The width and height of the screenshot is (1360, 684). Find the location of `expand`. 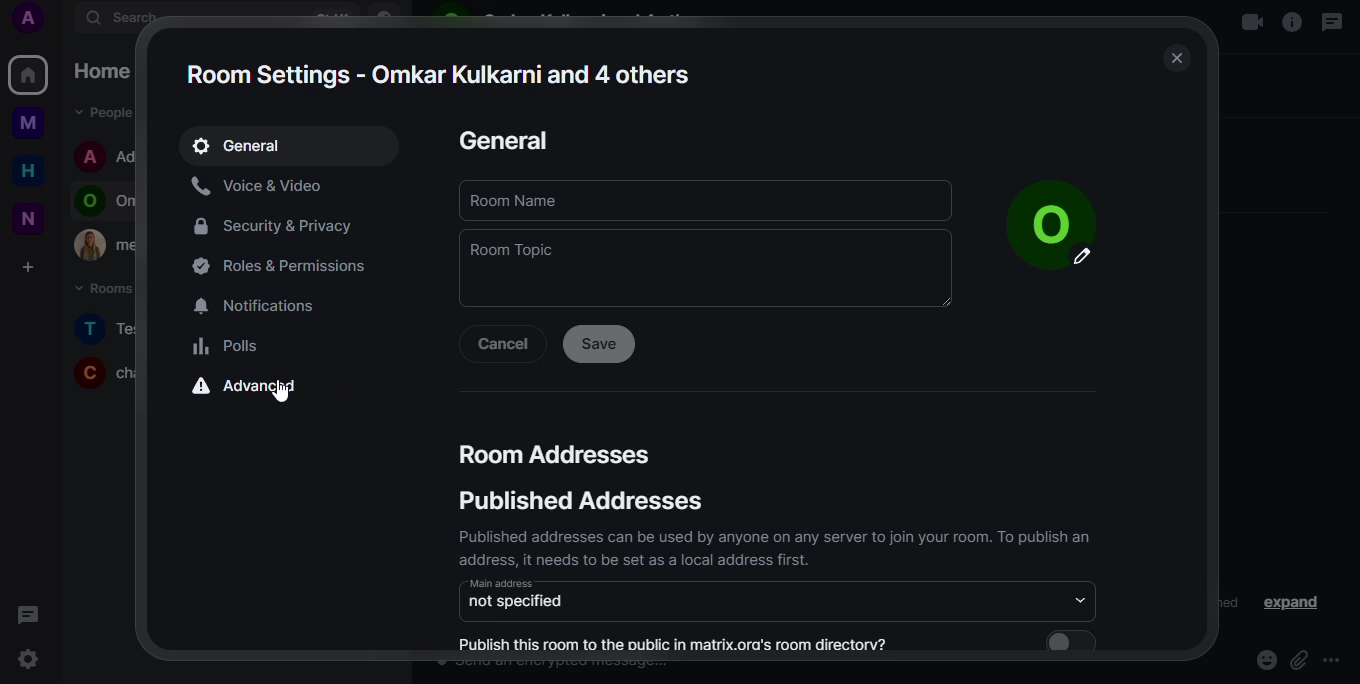

expand is located at coordinates (253, 146).